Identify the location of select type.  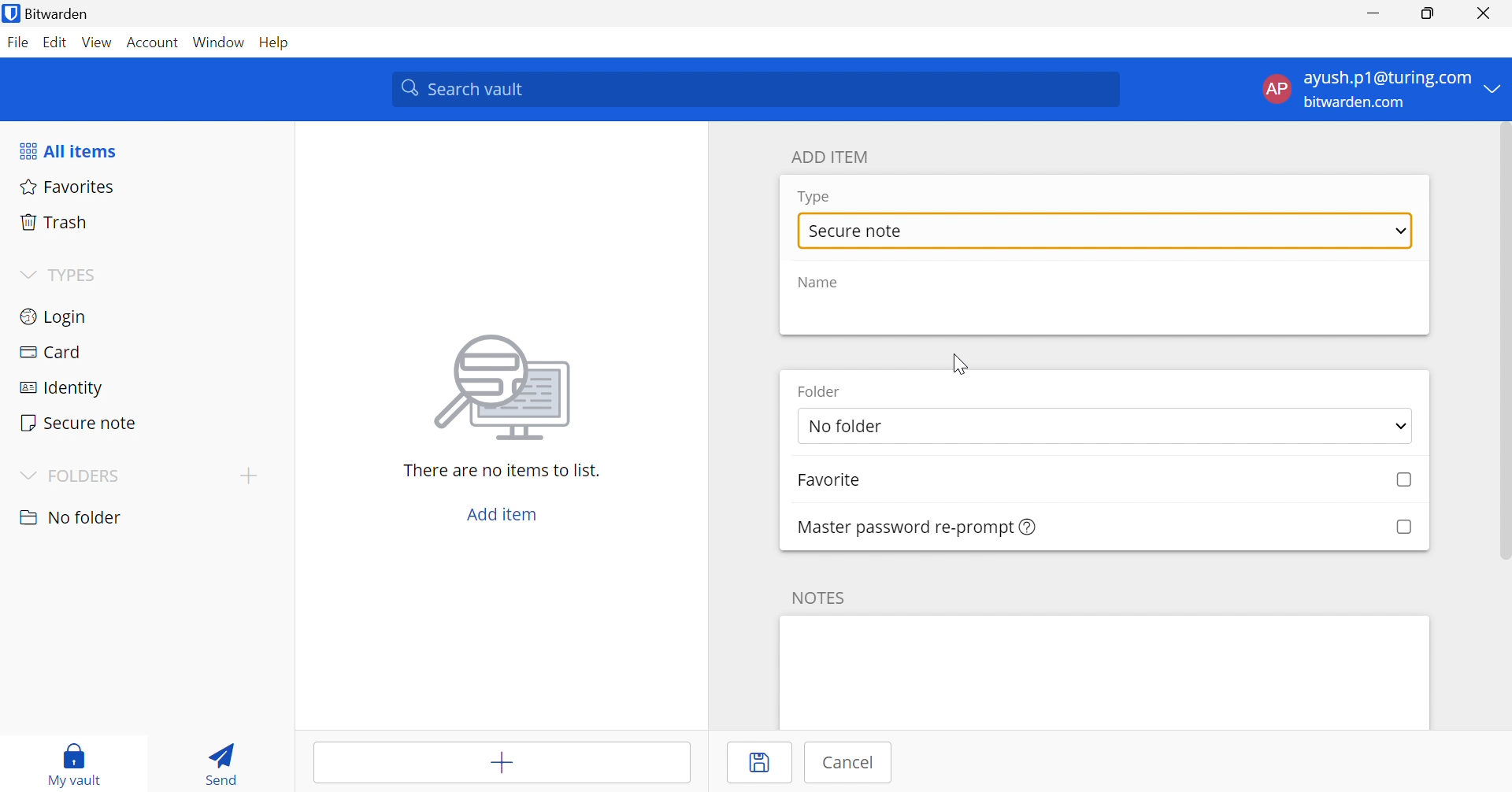
(1105, 231).